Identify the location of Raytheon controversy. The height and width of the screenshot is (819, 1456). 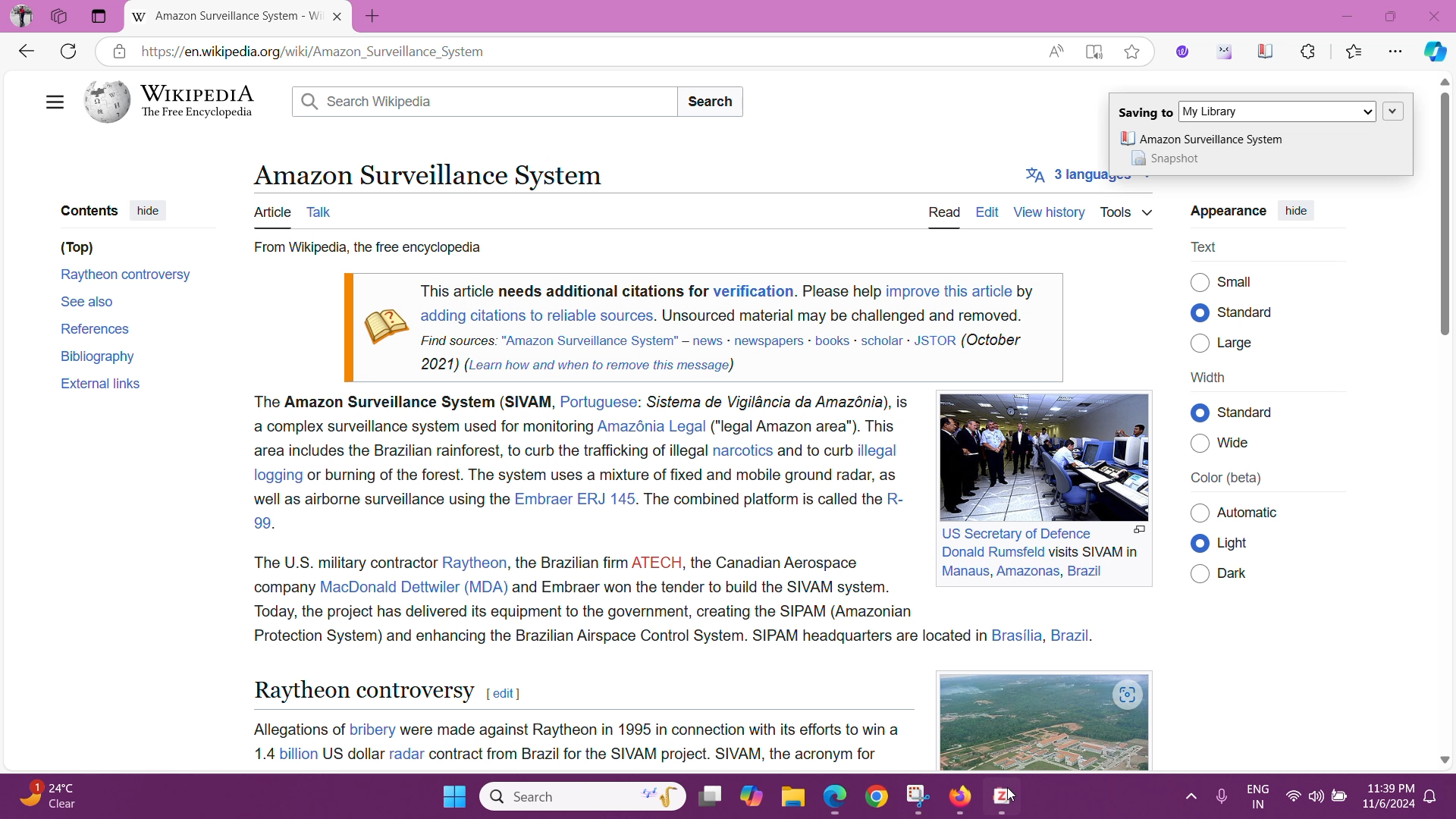
(127, 277).